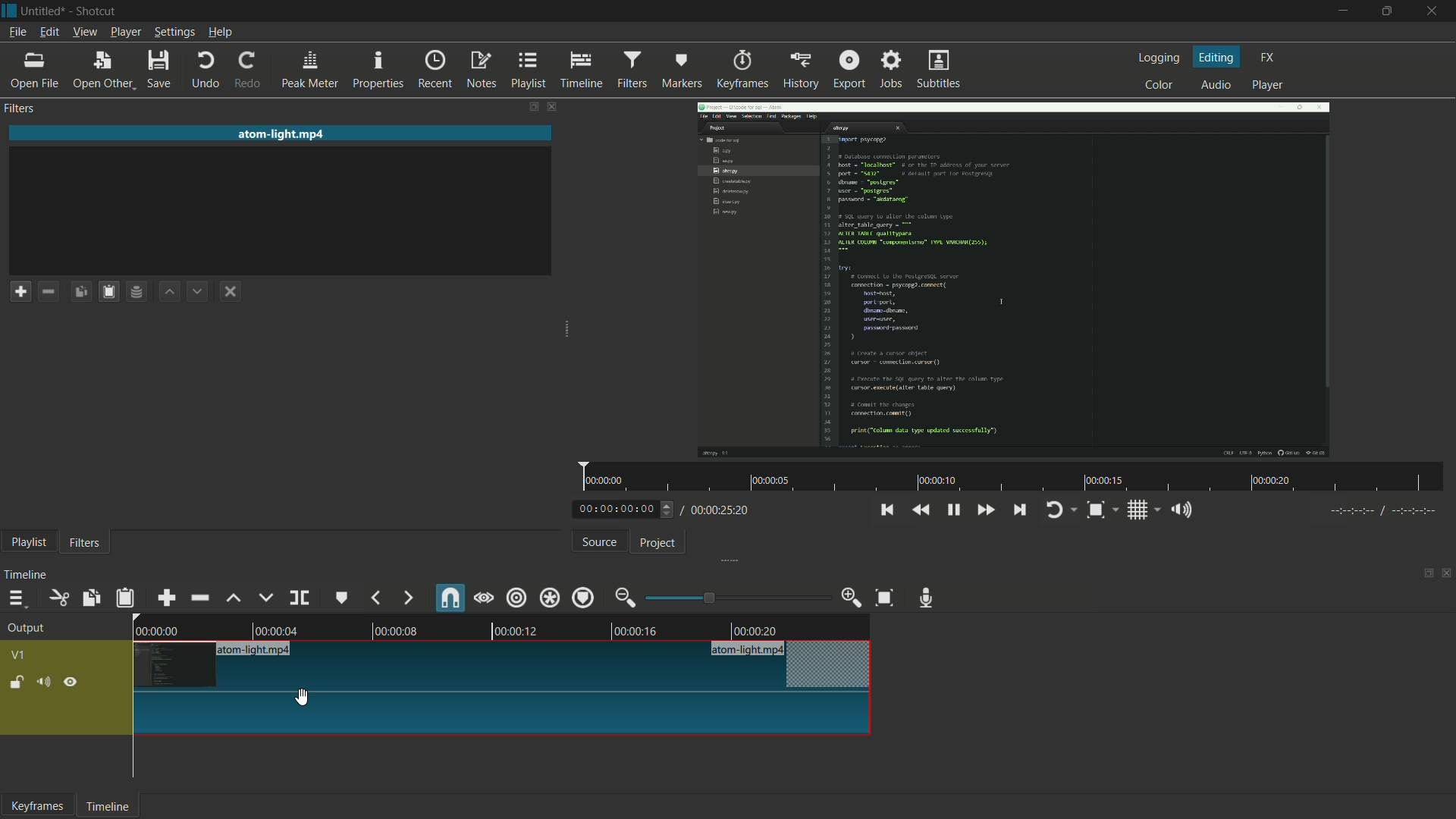 The height and width of the screenshot is (819, 1456). What do you see at coordinates (852, 598) in the screenshot?
I see `zoom in` at bounding box center [852, 598].